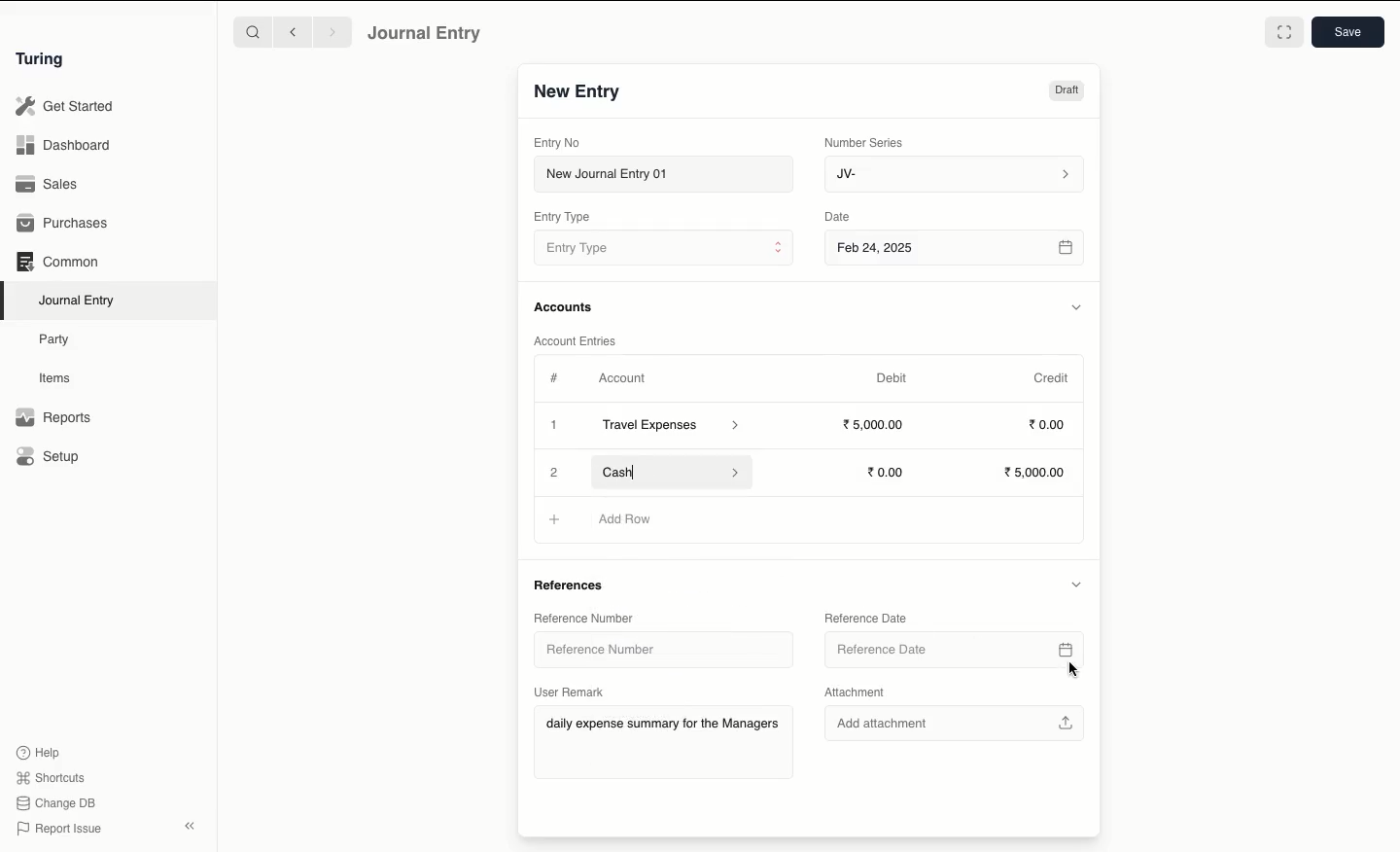 This screenshot has height=852, width=1400. What do you see at coordinates (875, 423) in the screenshot?
I see `5000.00` at bounding box center [875, 423].